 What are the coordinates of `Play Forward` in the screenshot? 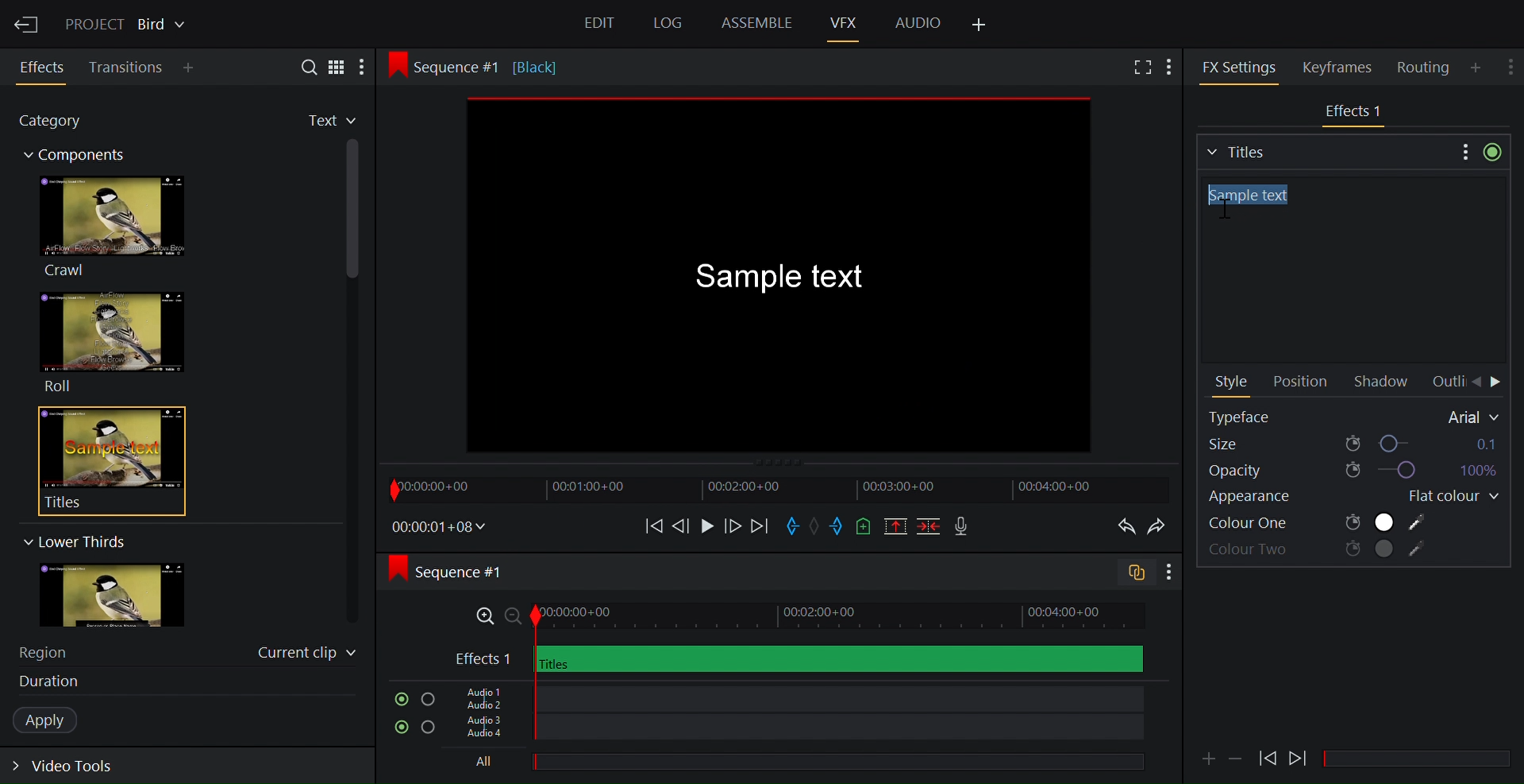 It's located at (1268, 758).